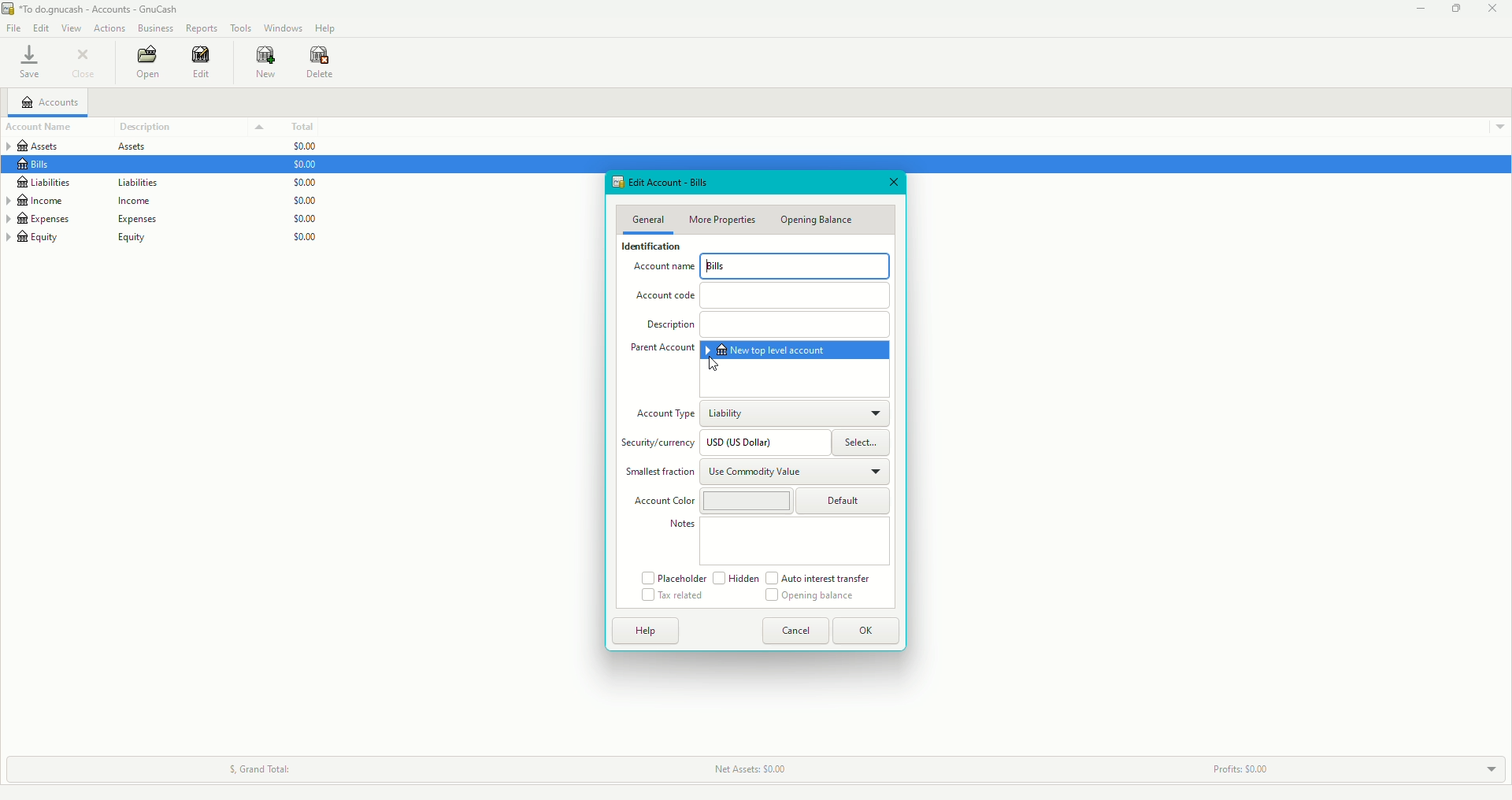  What do you see at coordinates (648, 220) in the screenshot?
I see `General` at bounding box center [648, 220].